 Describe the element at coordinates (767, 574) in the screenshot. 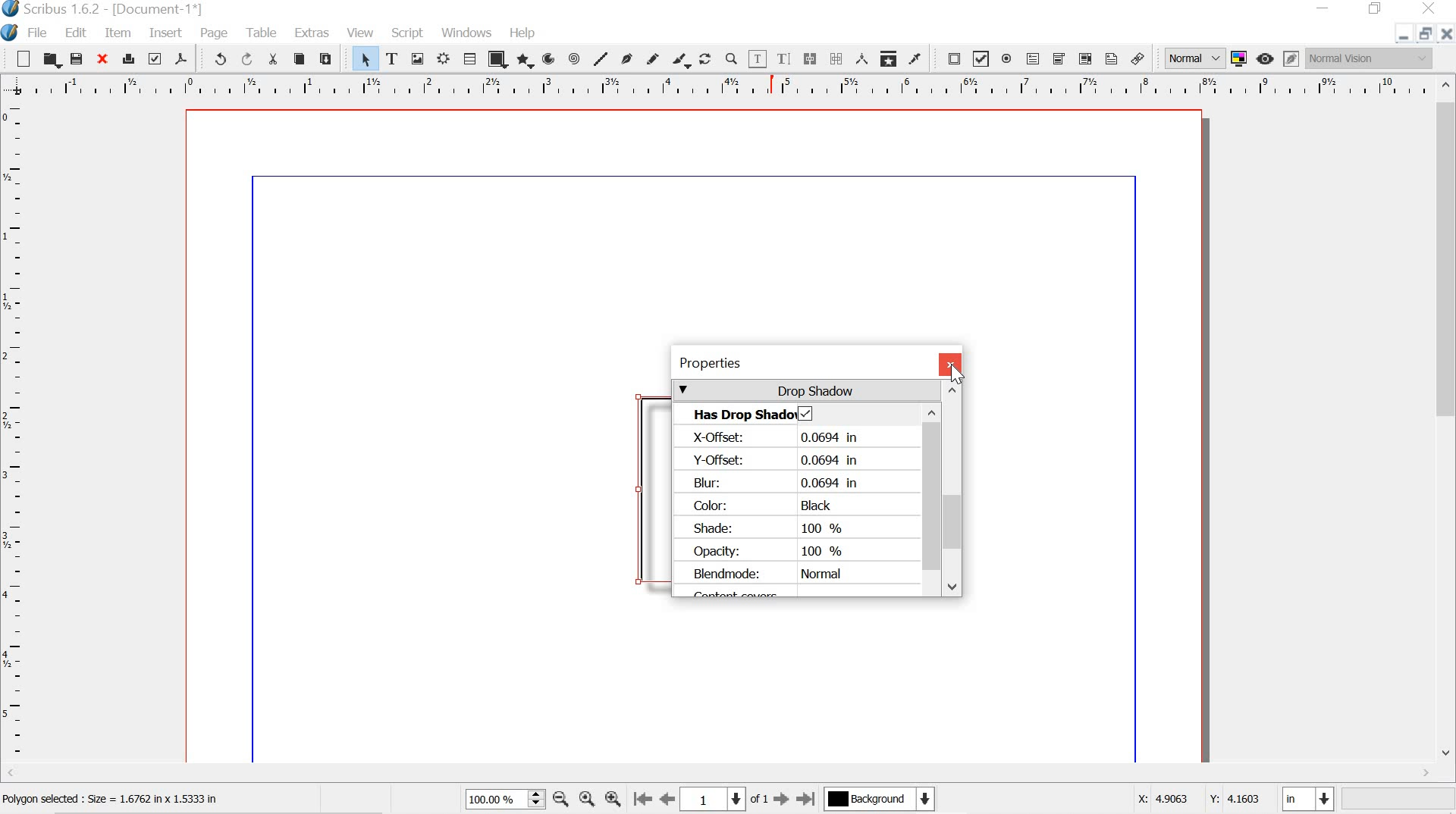

I see `Blendmode: Normal` at that location.